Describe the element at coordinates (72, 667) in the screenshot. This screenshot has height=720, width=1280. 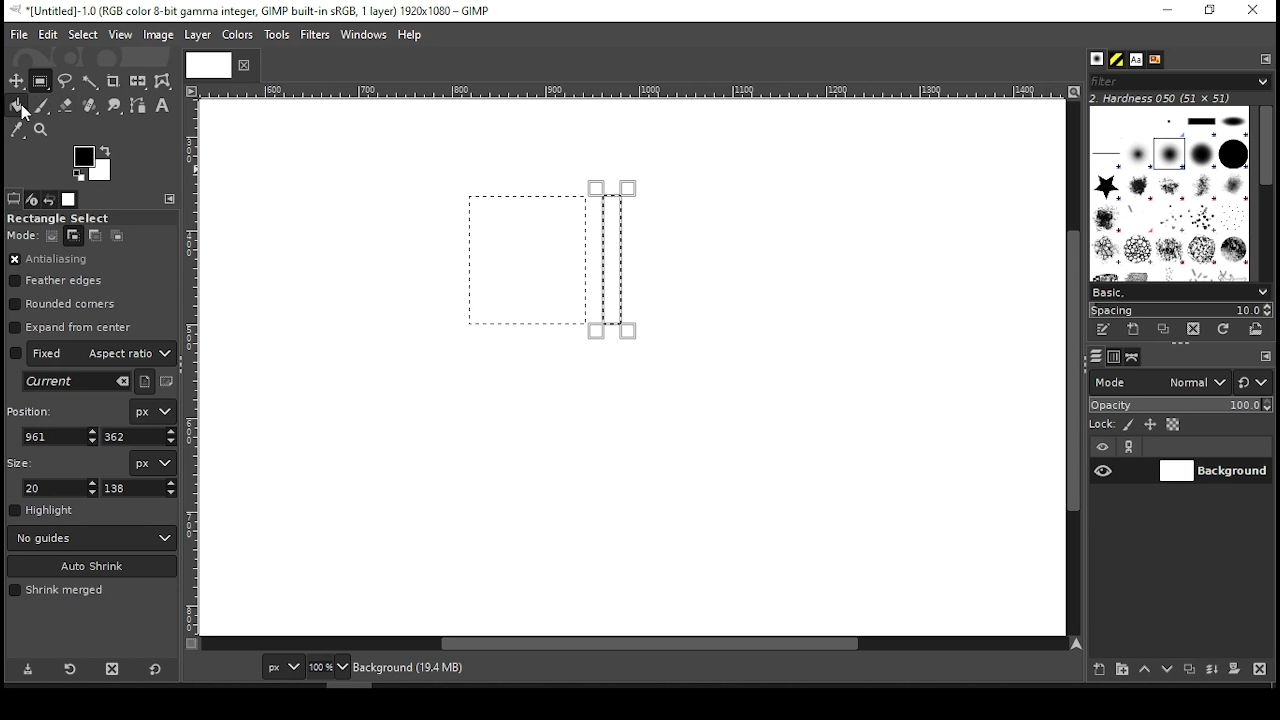
I see `restore tool preset` at that location.